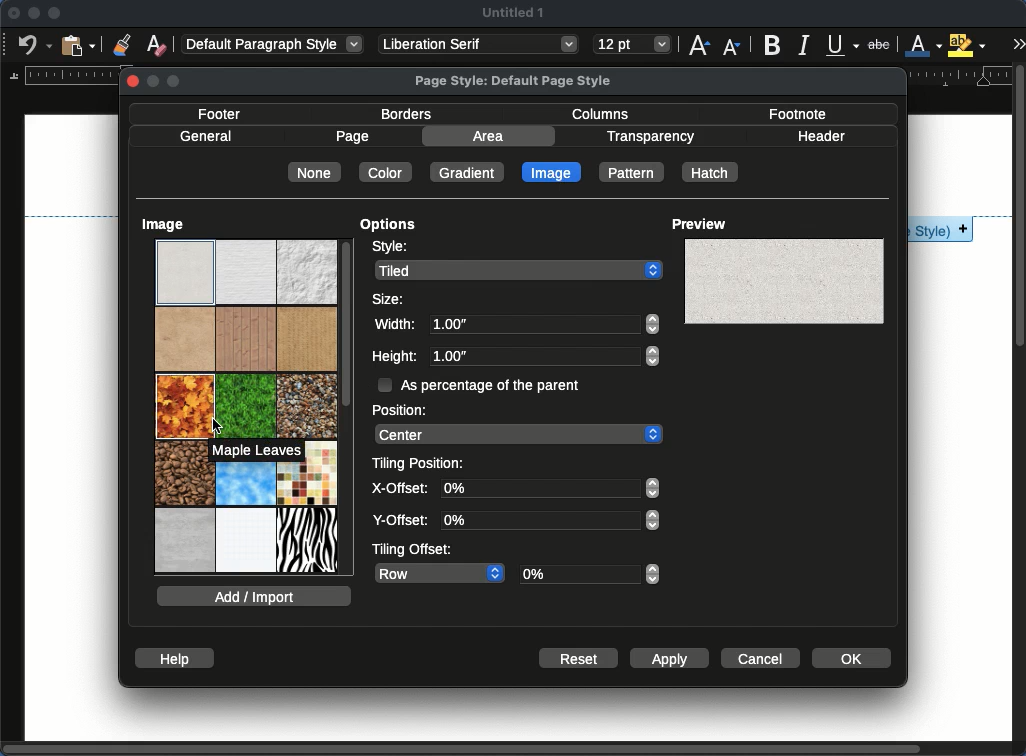 This screenshot has height=756, width=1026. I want to click on none, so click(317, 171).